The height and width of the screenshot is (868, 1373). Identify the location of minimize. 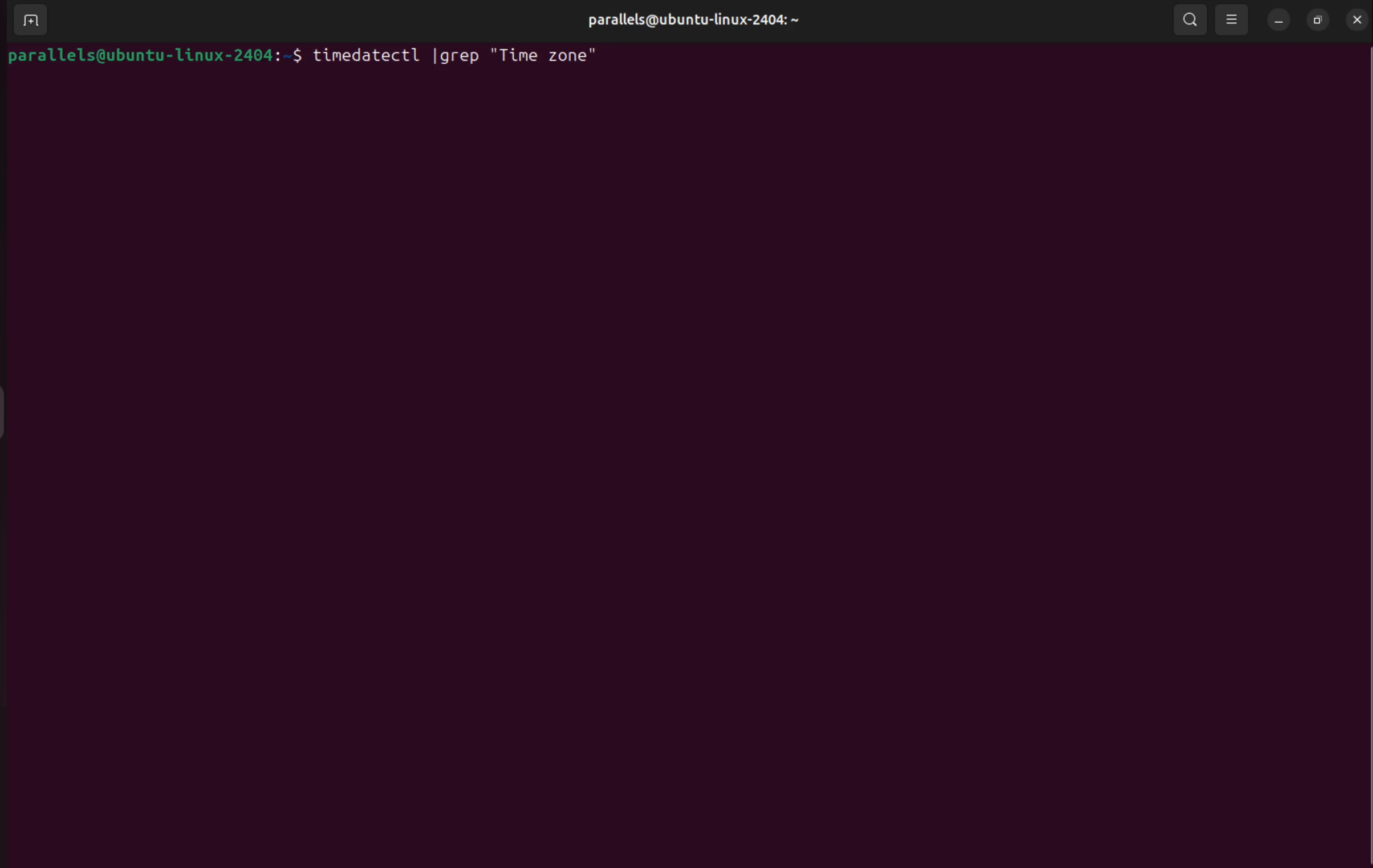
(1277, 20).